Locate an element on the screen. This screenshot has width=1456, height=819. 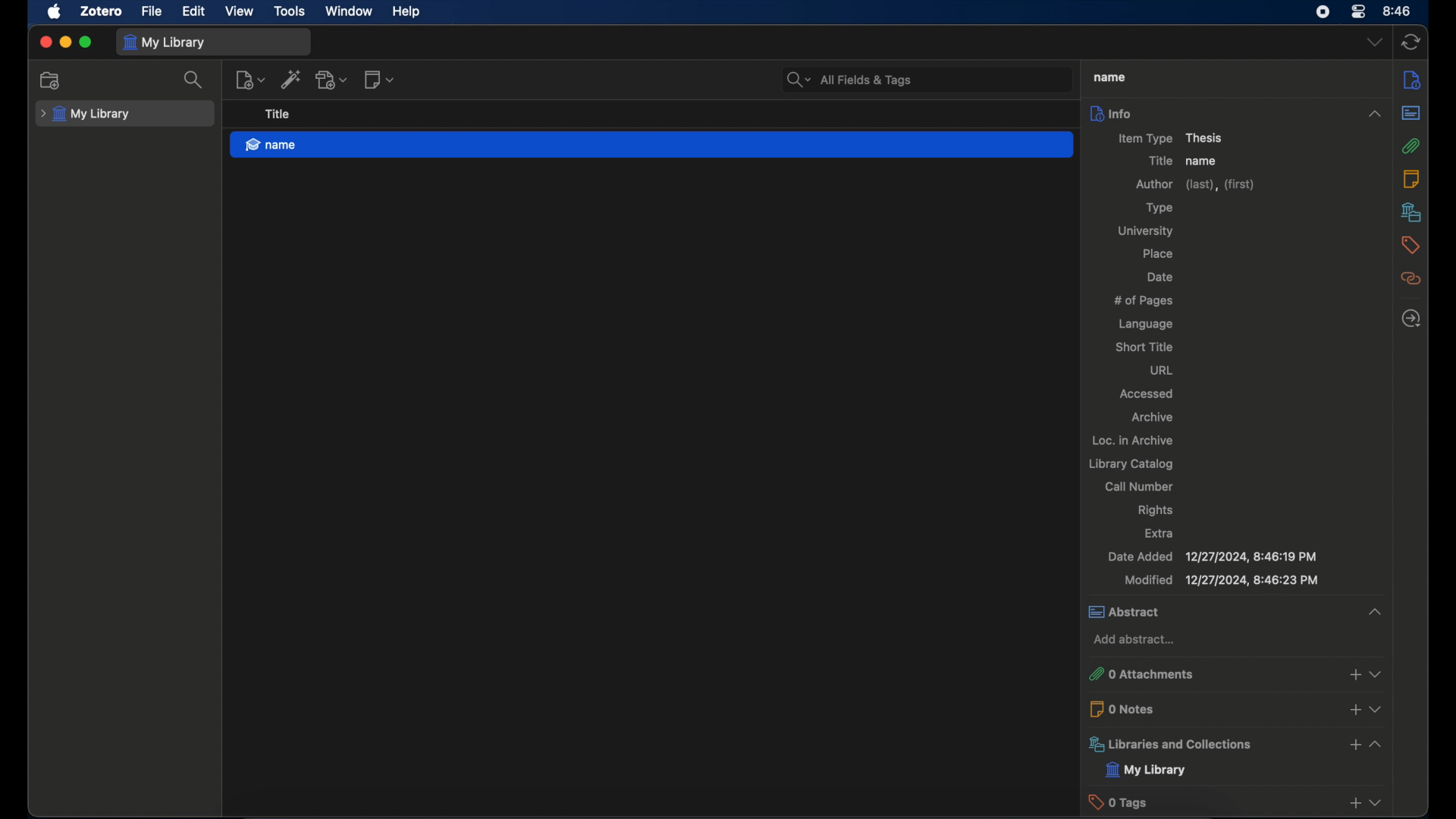
edit is located at coordinates (193, 11).